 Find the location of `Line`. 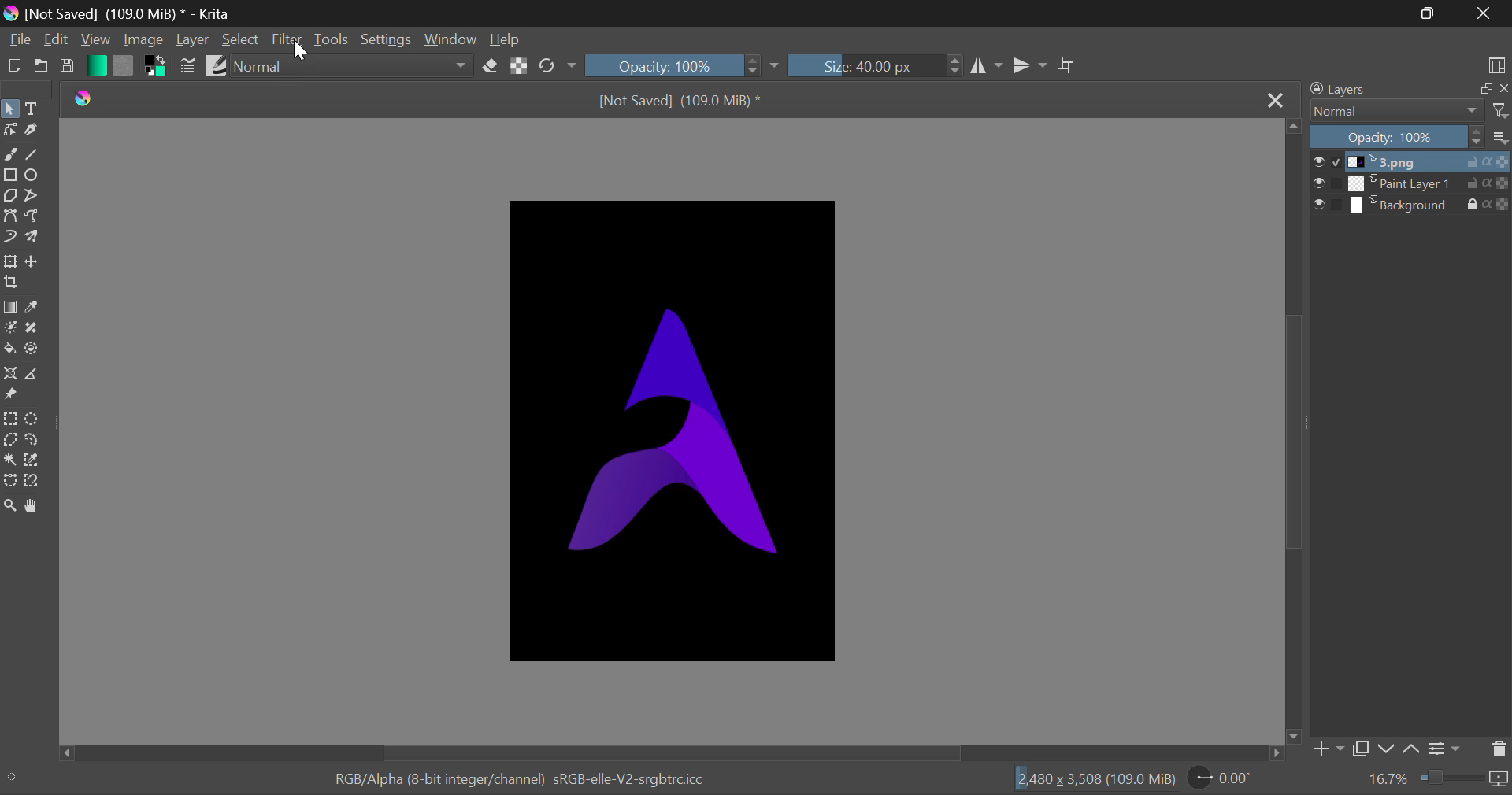

Line is located at coordinates (34, 153).